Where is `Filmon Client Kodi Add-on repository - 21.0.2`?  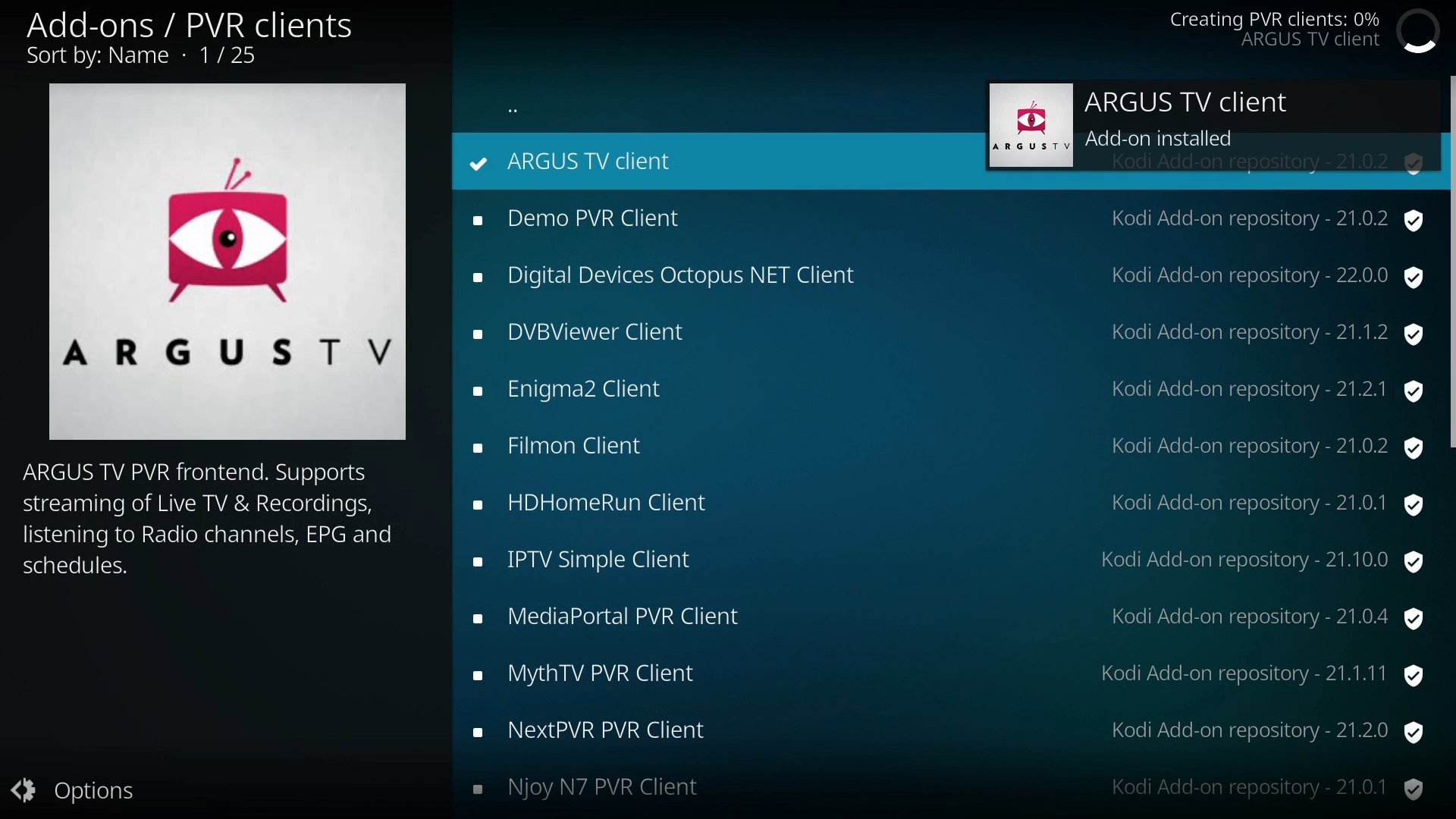
Filmon Client Kodi Add-on repository - 21.0.2 is located at coordinates (943, 447).